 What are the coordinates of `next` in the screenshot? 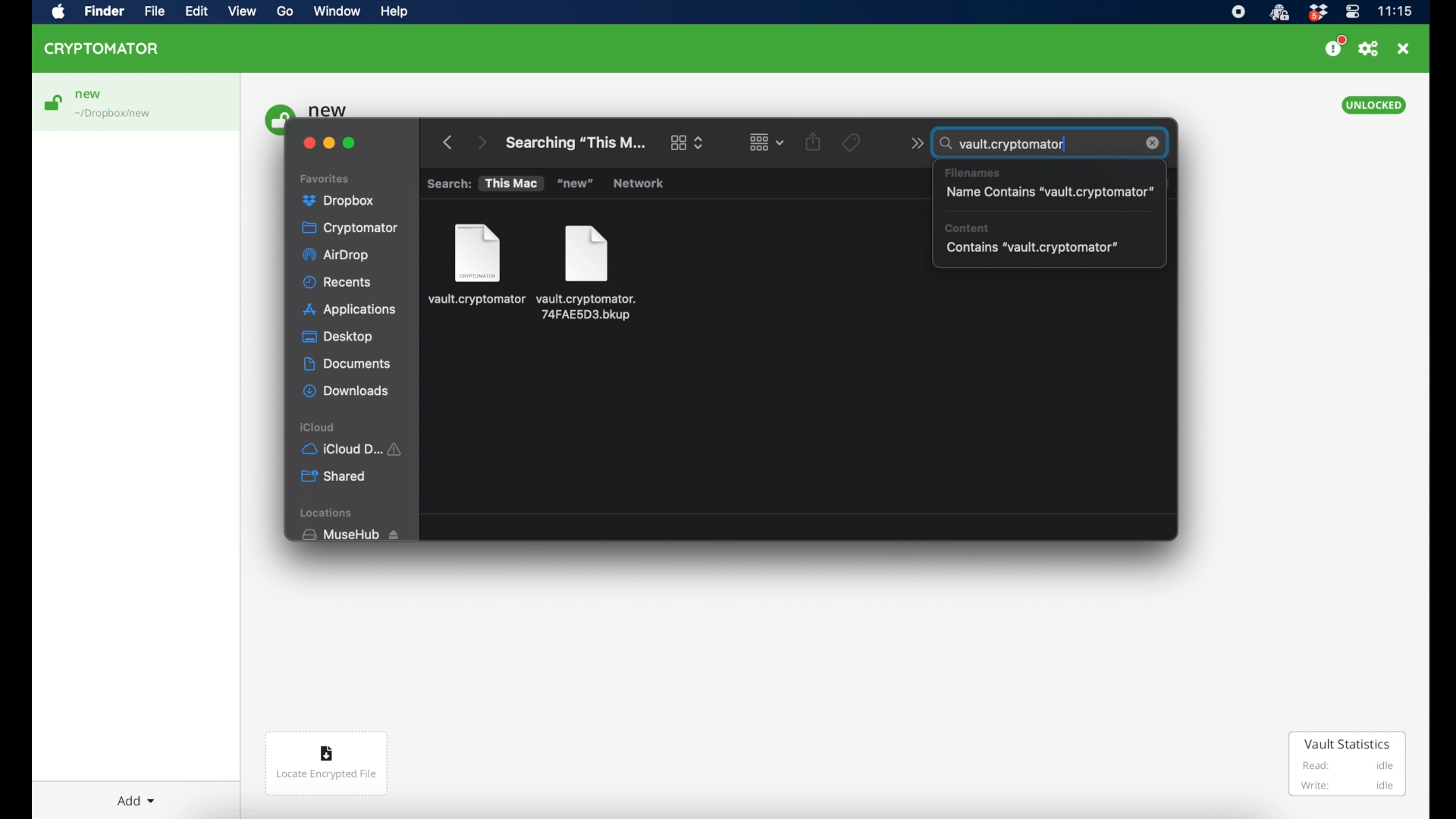 It's located at (912, 146).